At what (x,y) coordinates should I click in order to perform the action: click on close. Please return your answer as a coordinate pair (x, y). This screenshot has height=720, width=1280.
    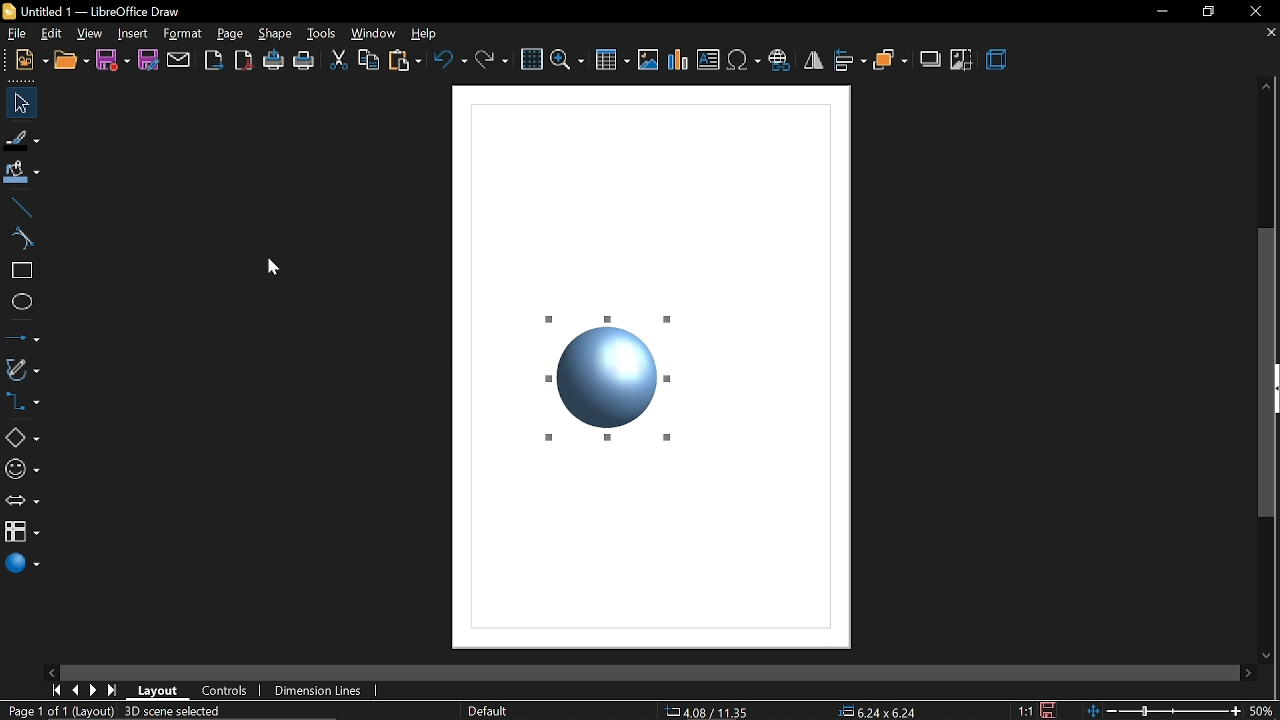
    Looking at the image, I should click on (1253, 11).